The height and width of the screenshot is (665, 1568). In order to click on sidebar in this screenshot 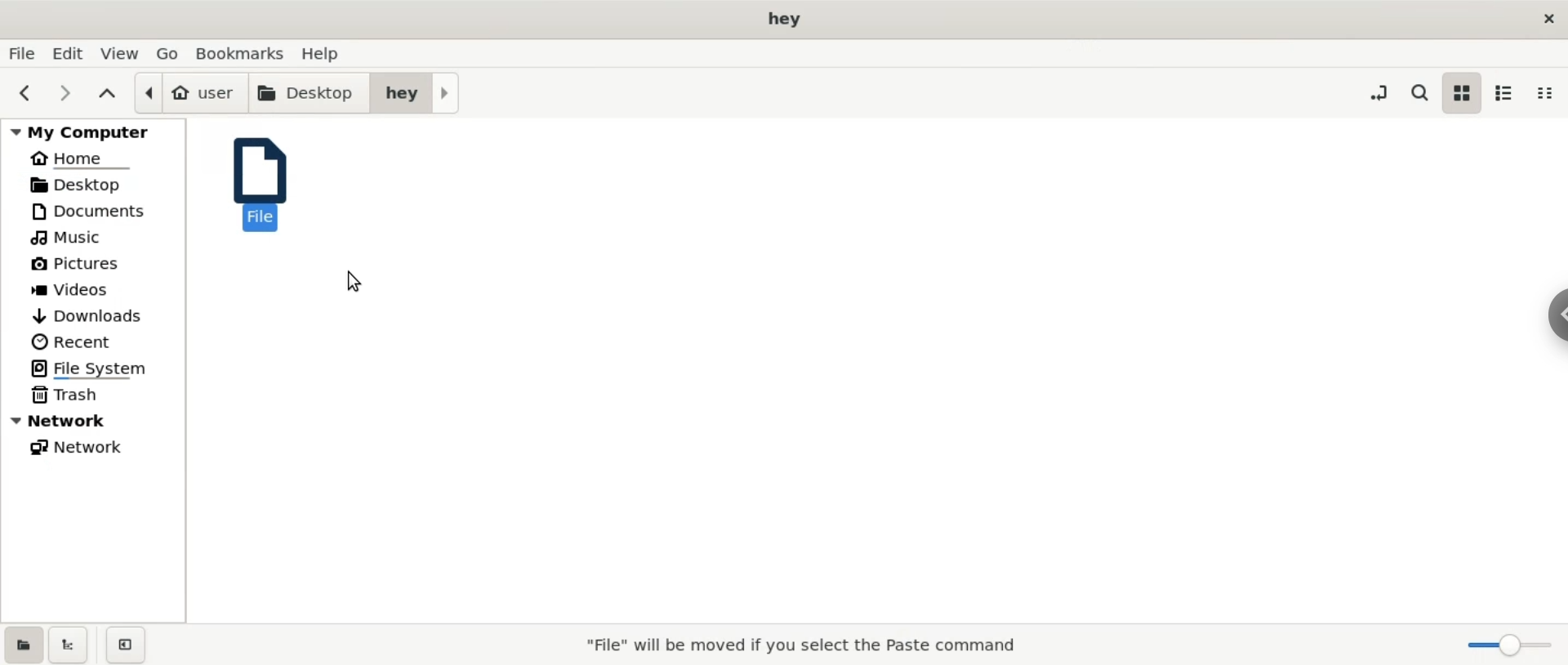, I will do `click(1539, 319)`.